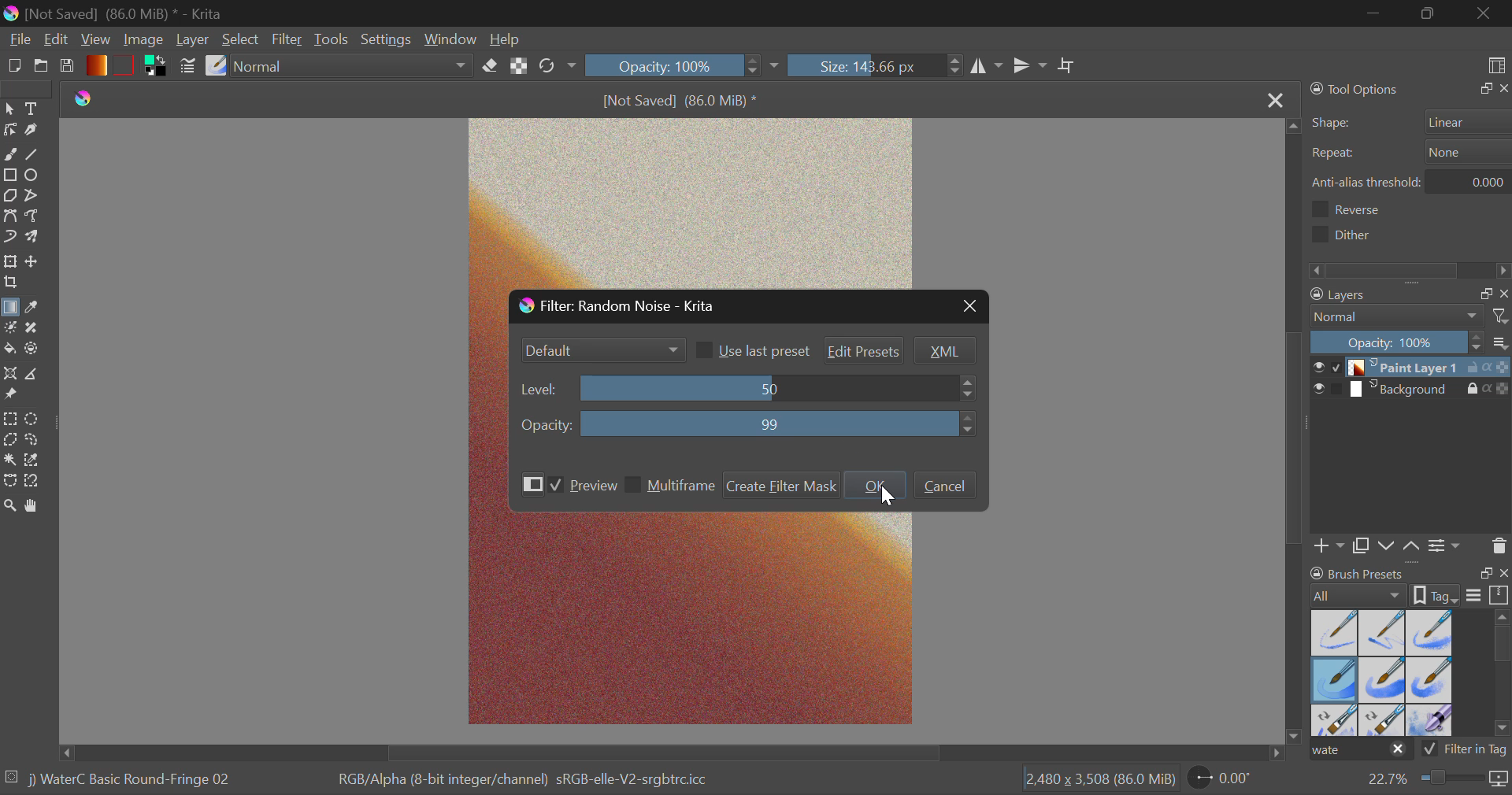 The height and width of the screenshot is (795, 1512). Describe the element at coordinates (35, 109) in the screenshot. I see `Text` at that location.